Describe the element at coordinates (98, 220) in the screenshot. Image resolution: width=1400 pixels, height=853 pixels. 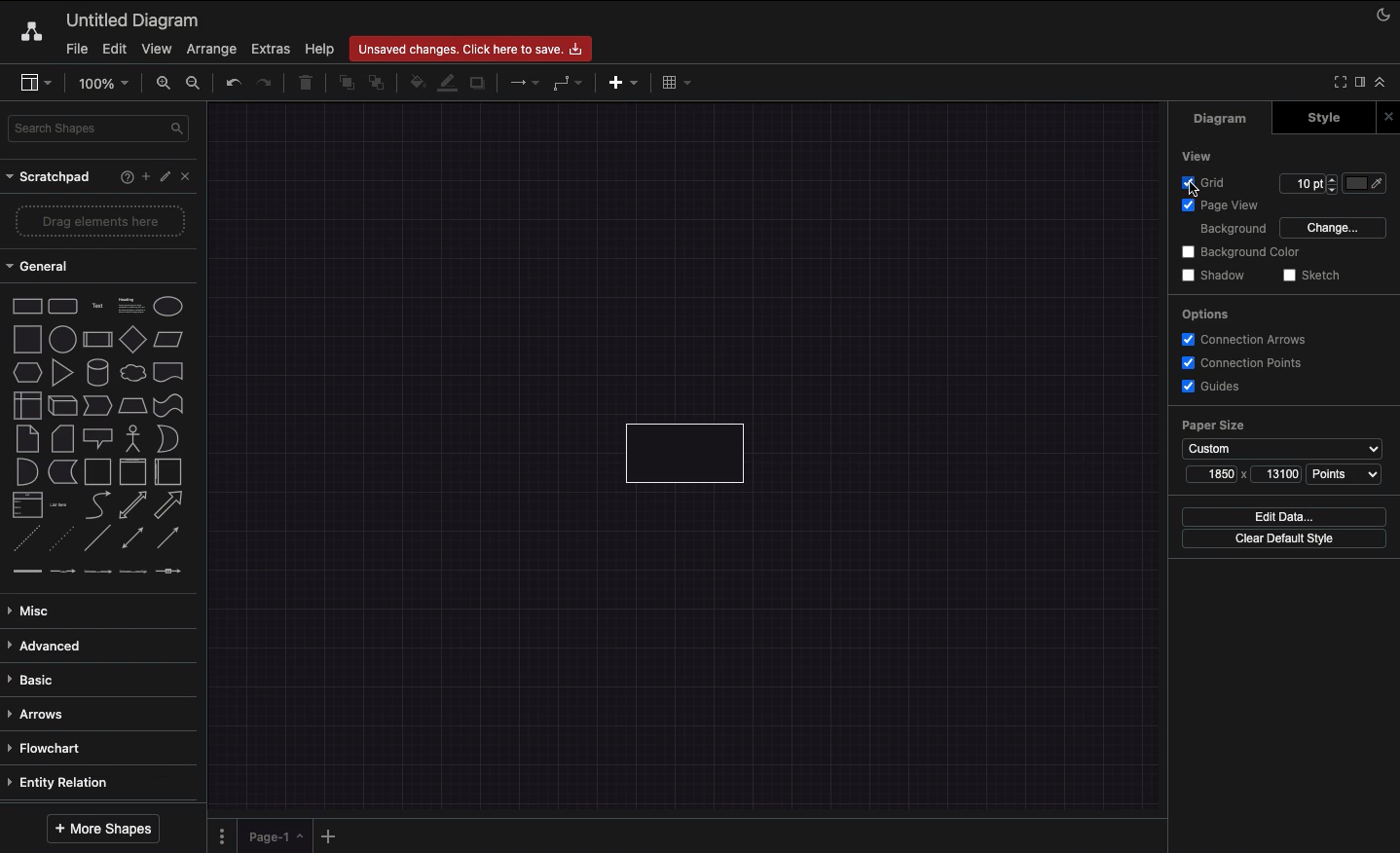
I see `Drag elements here` at that location.